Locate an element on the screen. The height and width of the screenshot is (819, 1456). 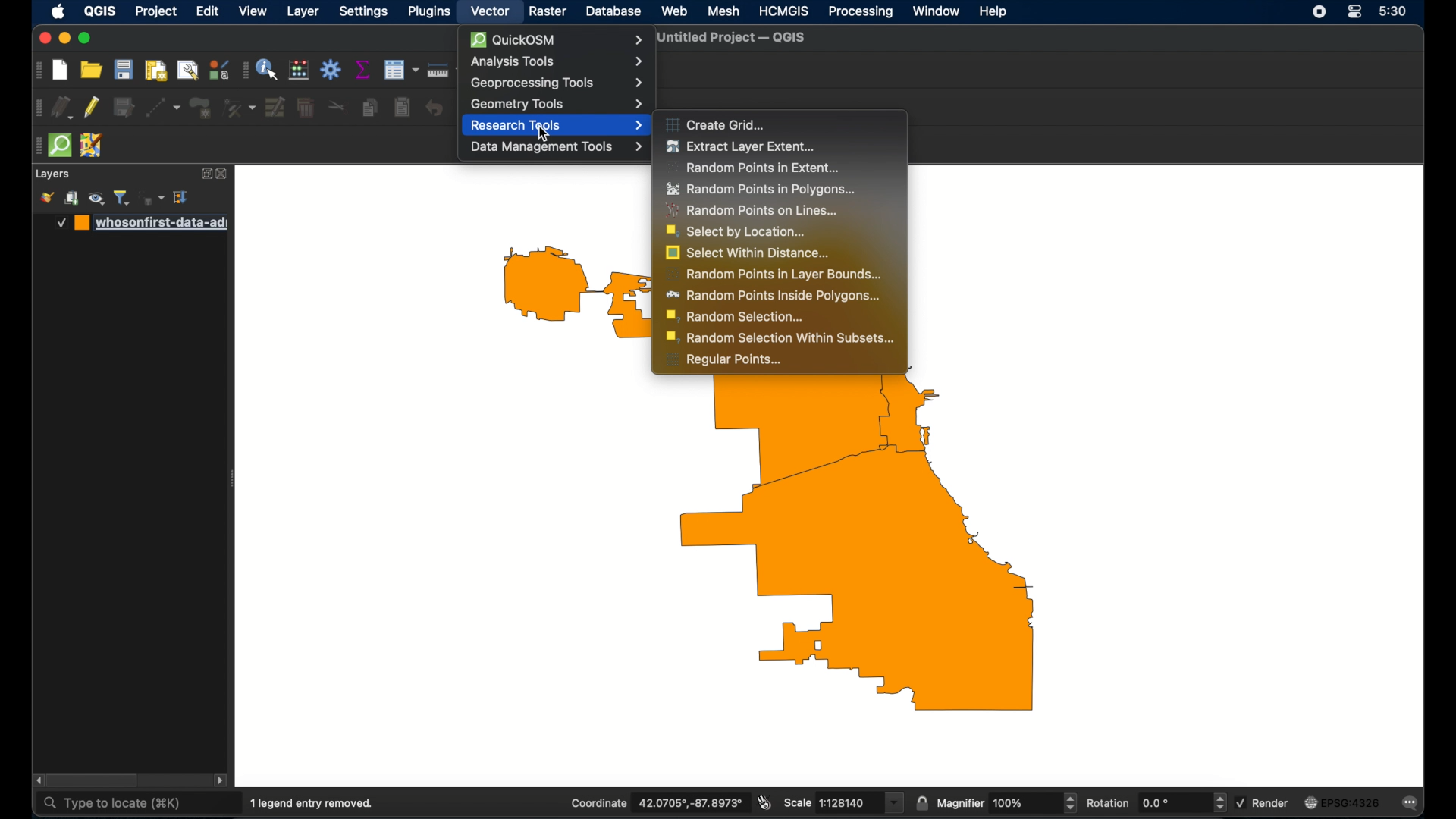
raster is located at coordinates (547, 11).